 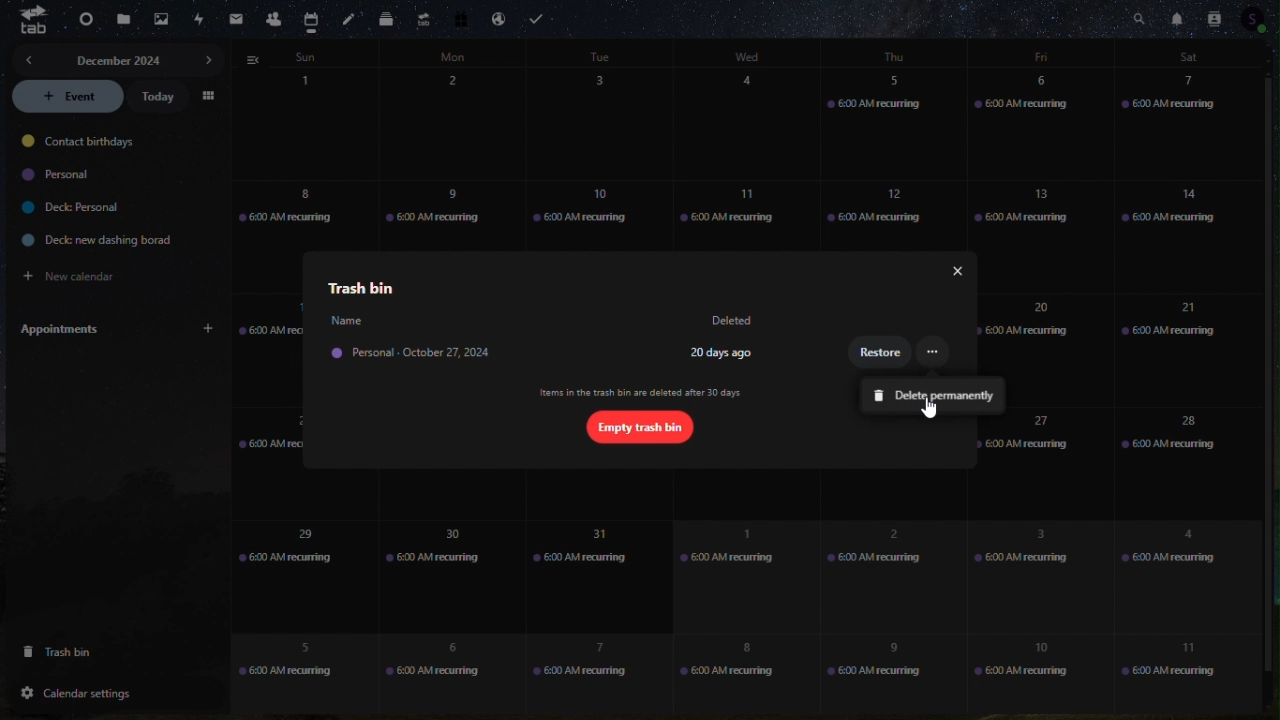 What do you see at coordinates (882, 355) in the screenshot?
I see `restore` at bounding box center [882, 355].